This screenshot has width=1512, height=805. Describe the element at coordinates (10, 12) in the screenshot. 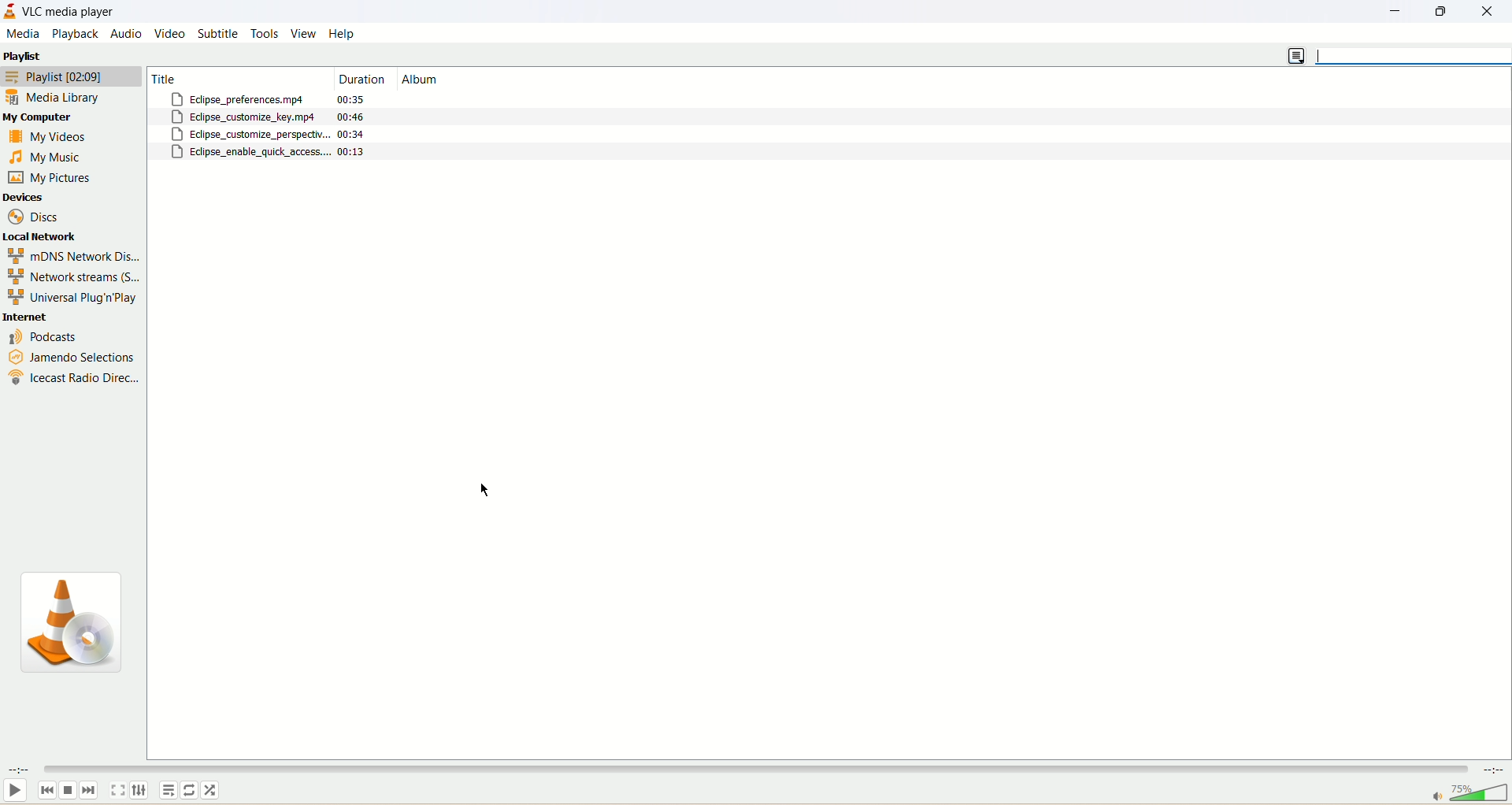

I see `application icon` at that location.